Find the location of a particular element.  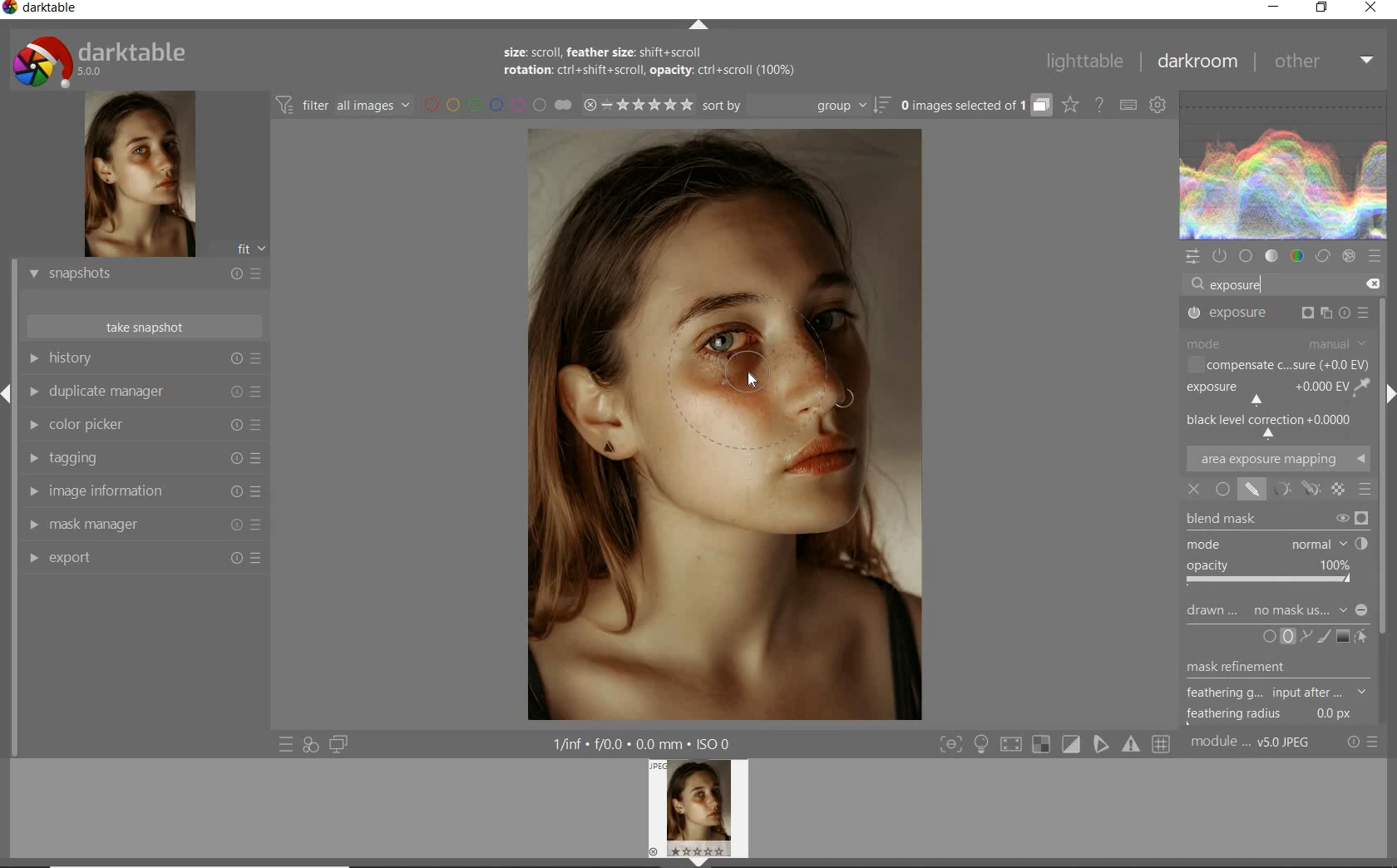

minimize is located at coordinates (1273, 7).